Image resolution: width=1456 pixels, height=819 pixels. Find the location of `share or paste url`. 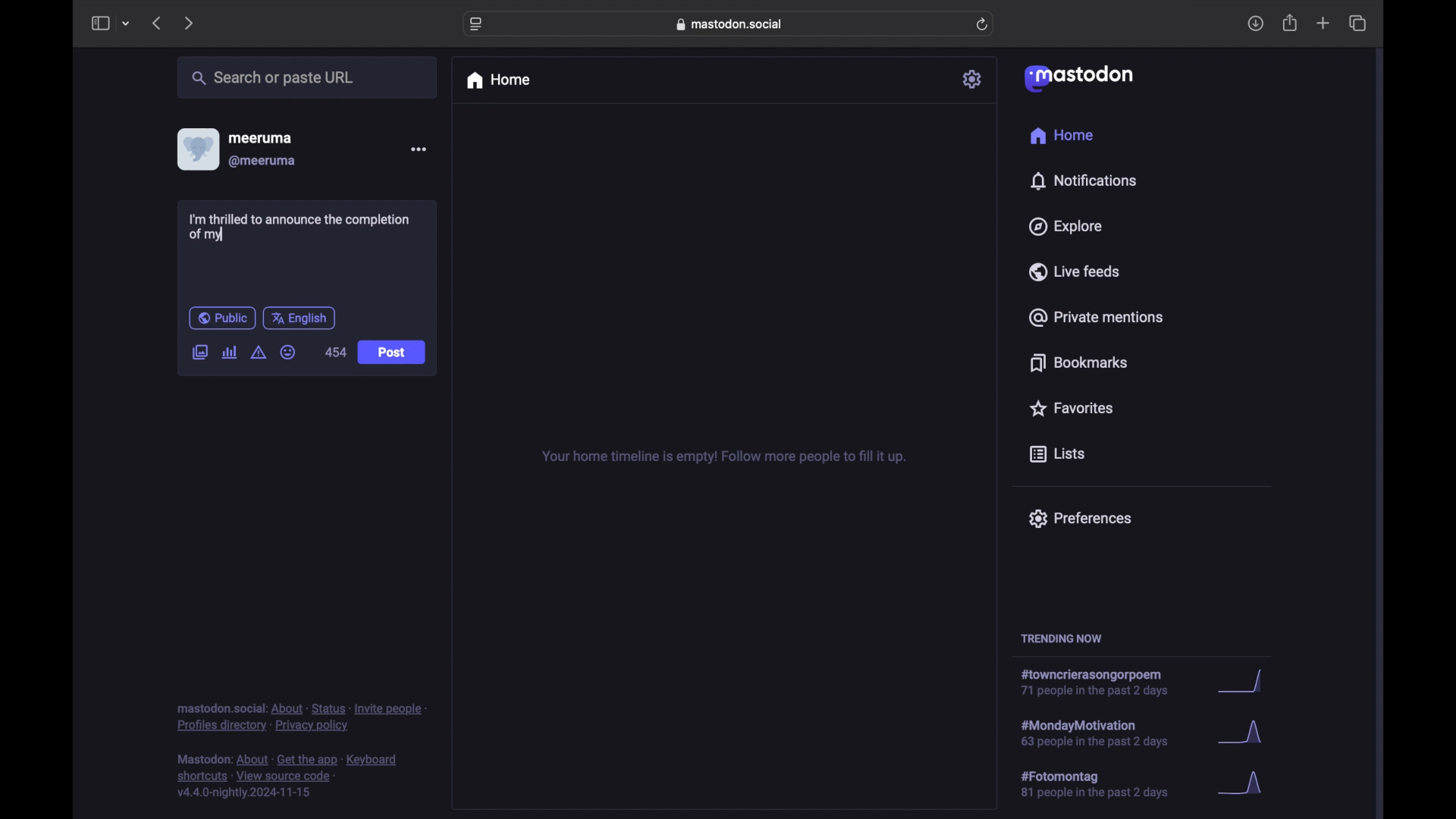

share or paste url is located at coordinates (273, 77).